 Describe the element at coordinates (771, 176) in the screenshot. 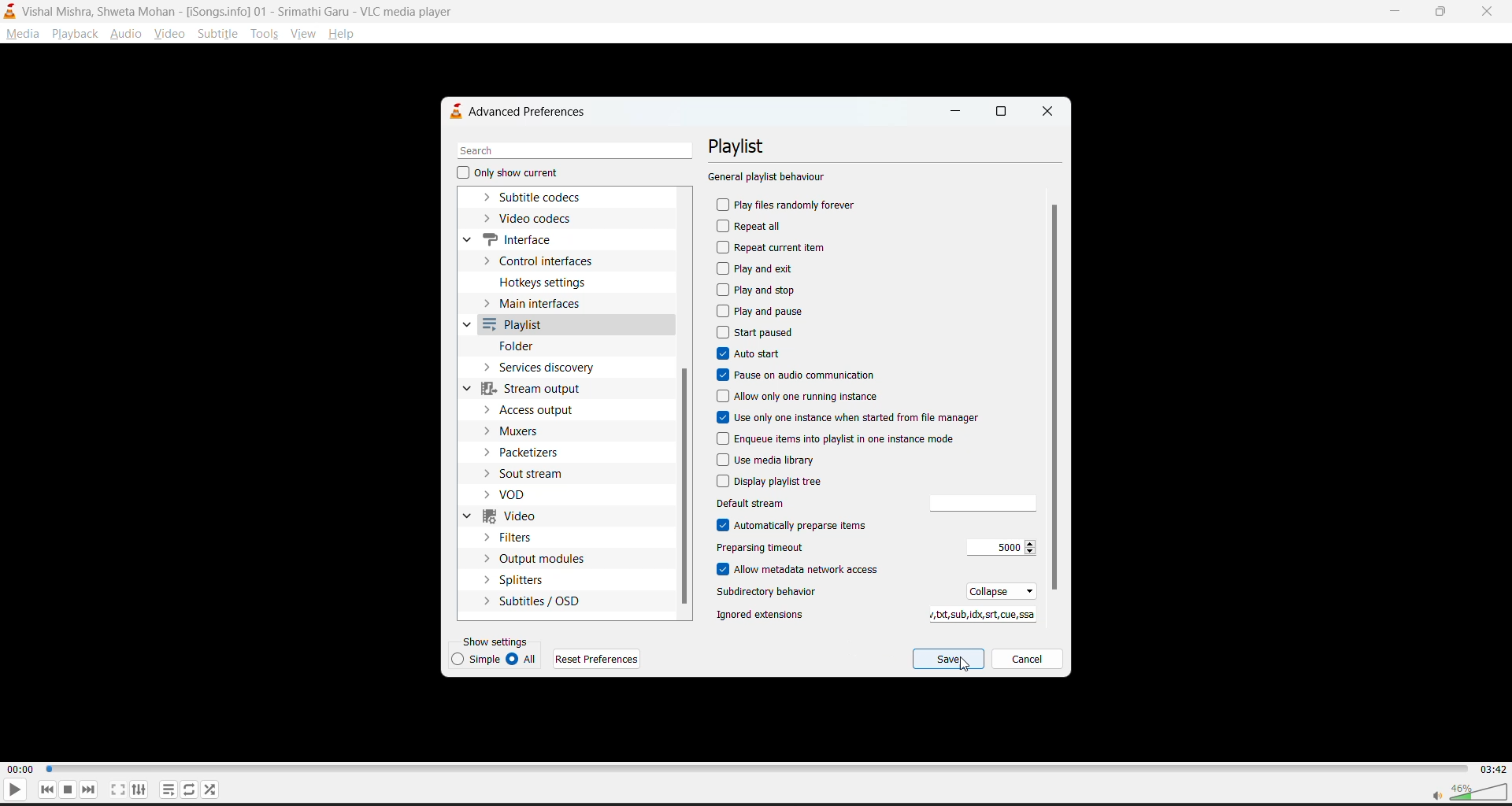

I see `general playlist behaviour` at that location.